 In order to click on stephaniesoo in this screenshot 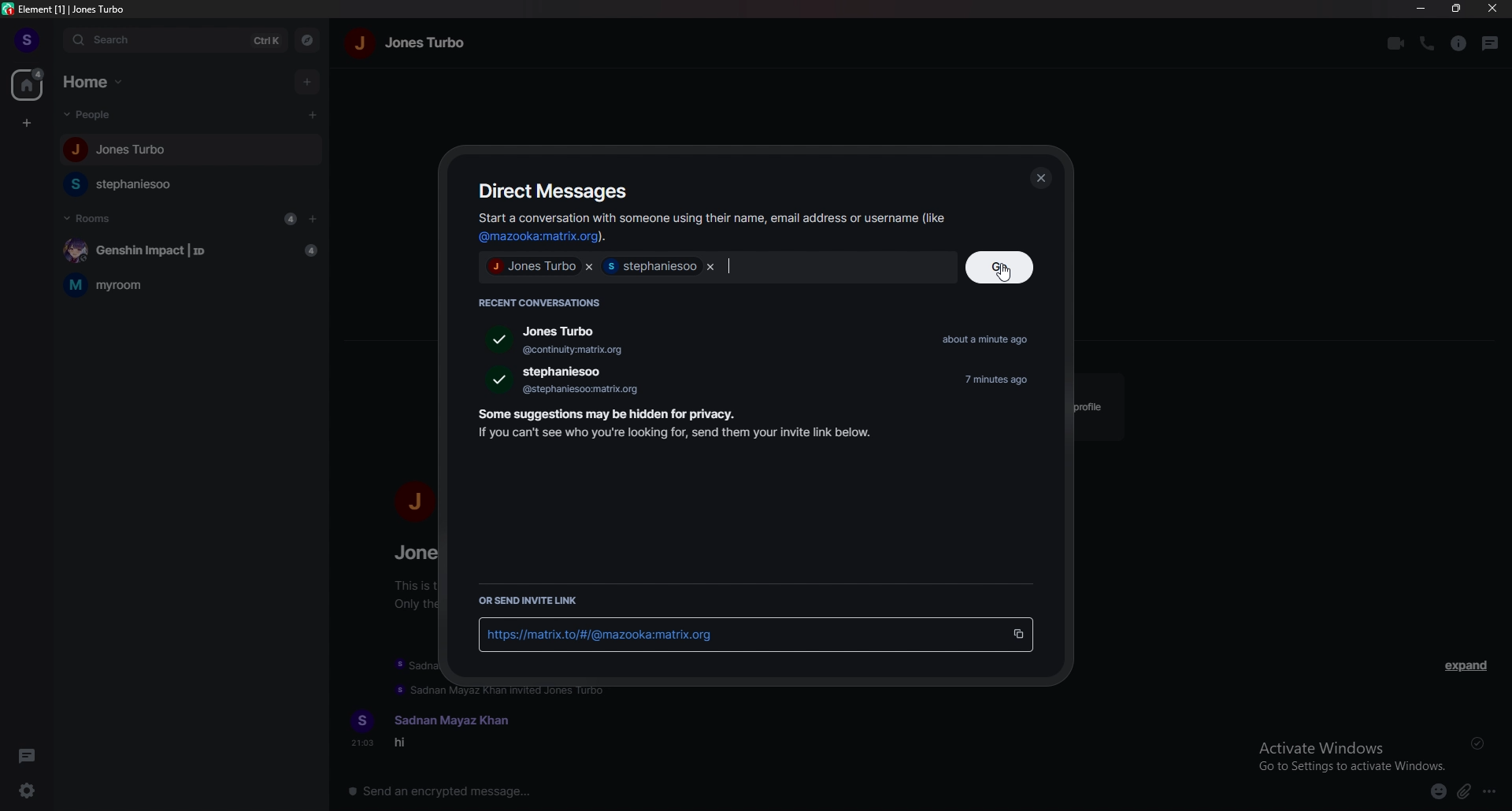, I will do `click(135, 185)`.